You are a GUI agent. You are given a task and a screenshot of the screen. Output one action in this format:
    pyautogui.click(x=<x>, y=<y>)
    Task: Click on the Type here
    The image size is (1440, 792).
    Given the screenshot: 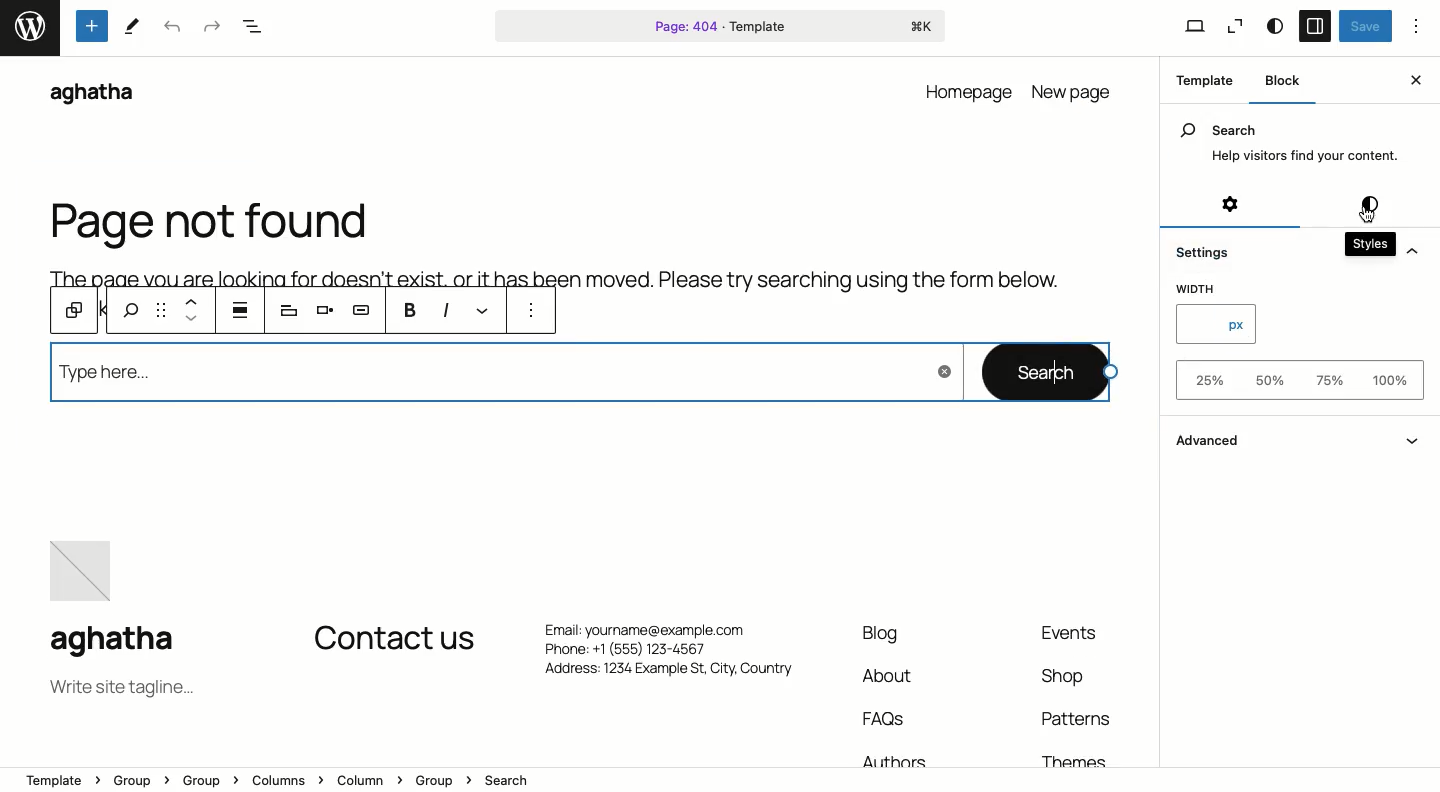 What is the action you would take?
    pyautogui.click(x=506, y=370)
    